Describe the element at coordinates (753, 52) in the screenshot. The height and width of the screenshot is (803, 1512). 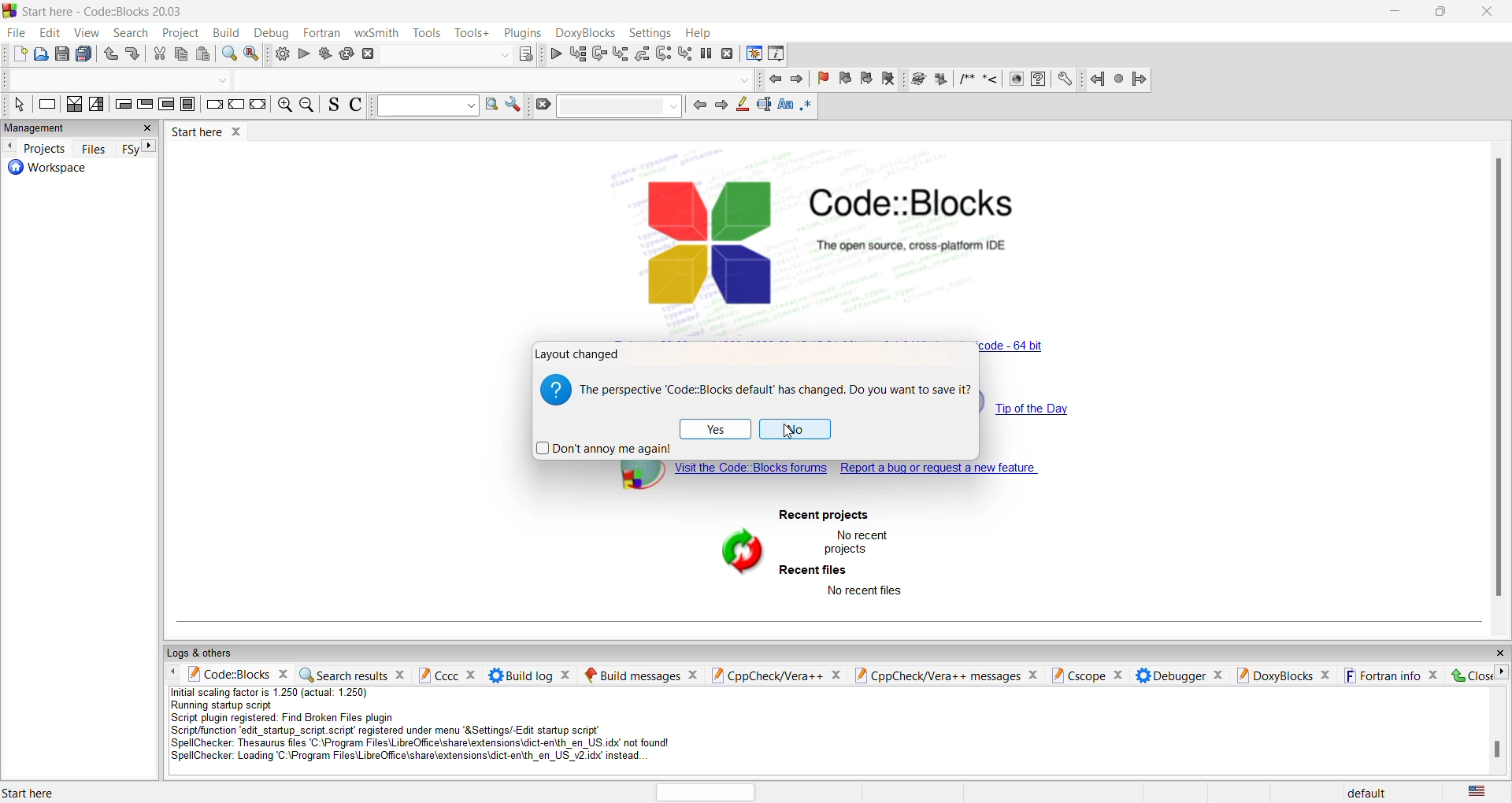
I see `debugging window` at that location.